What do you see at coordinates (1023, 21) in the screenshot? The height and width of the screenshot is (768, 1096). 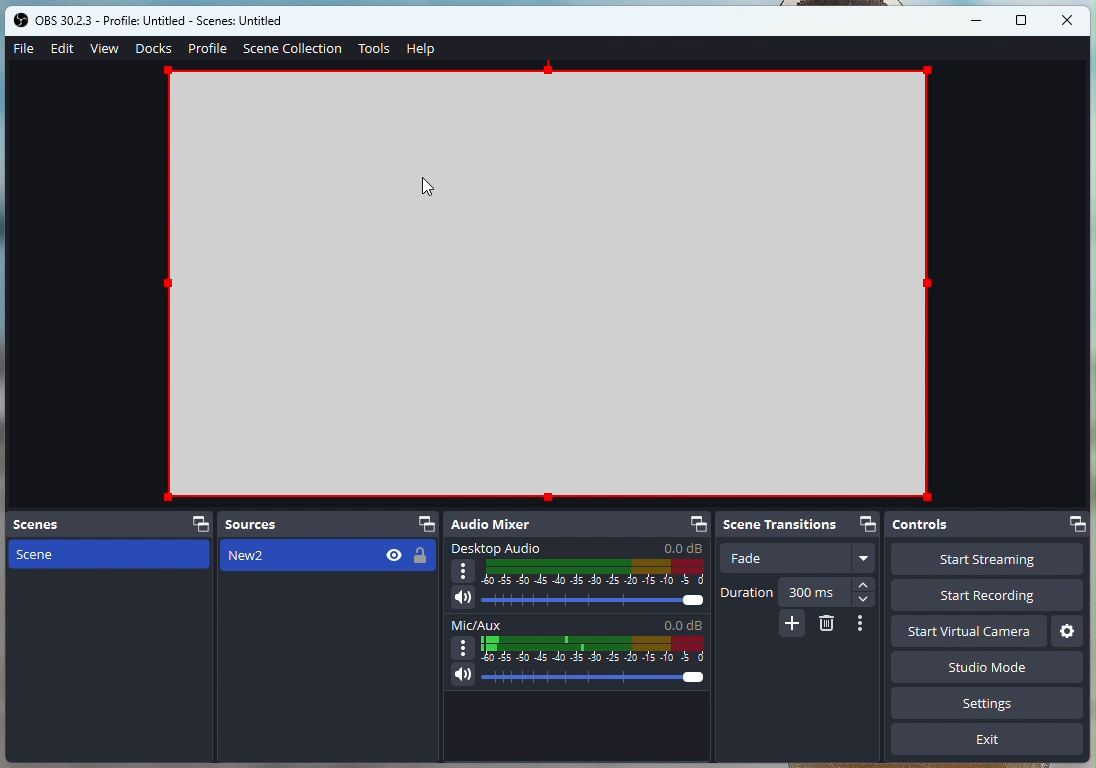 I see `maximise` at bounding box center [1023, 21].